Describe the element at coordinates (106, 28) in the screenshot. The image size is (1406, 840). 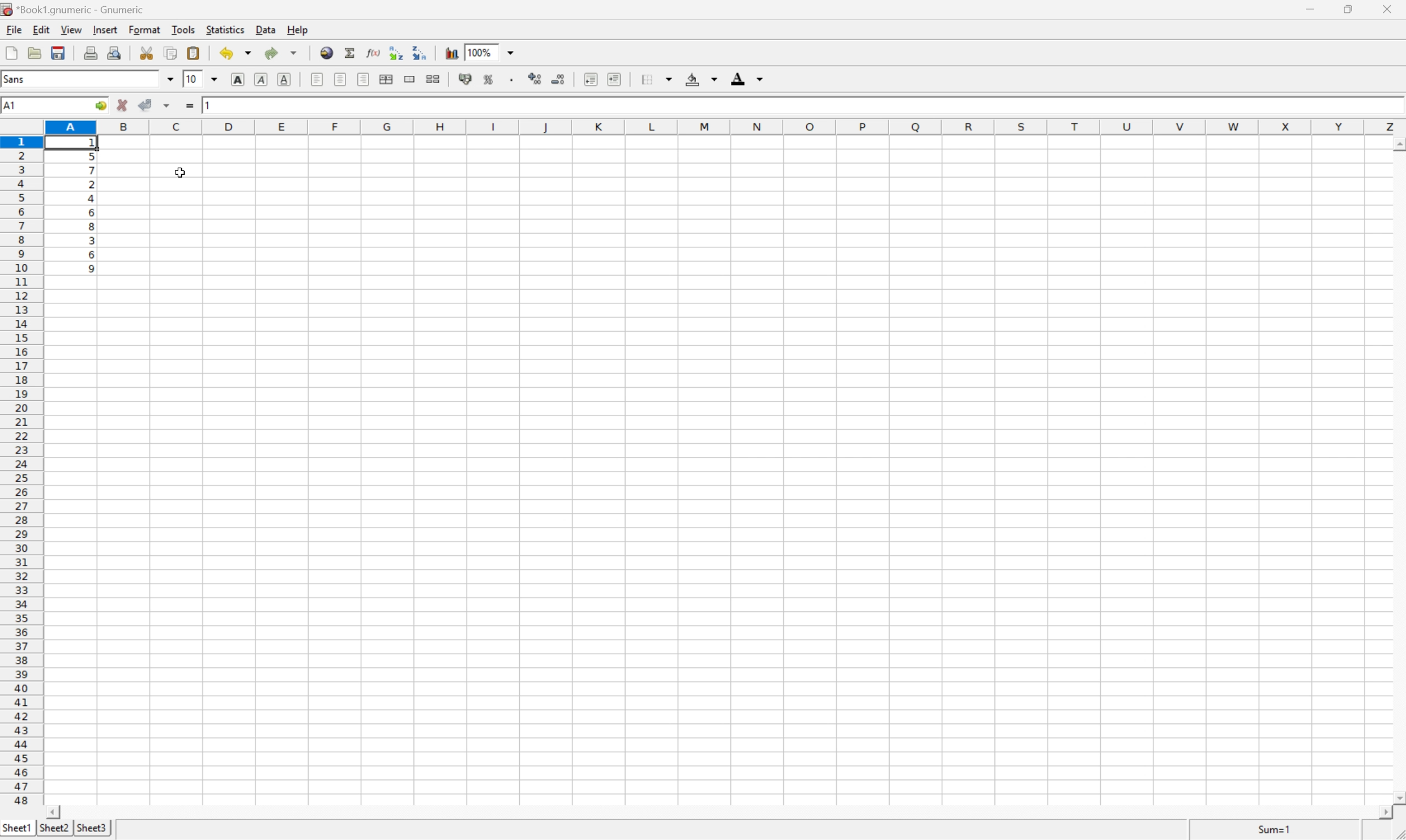
I see `insert` at that location.